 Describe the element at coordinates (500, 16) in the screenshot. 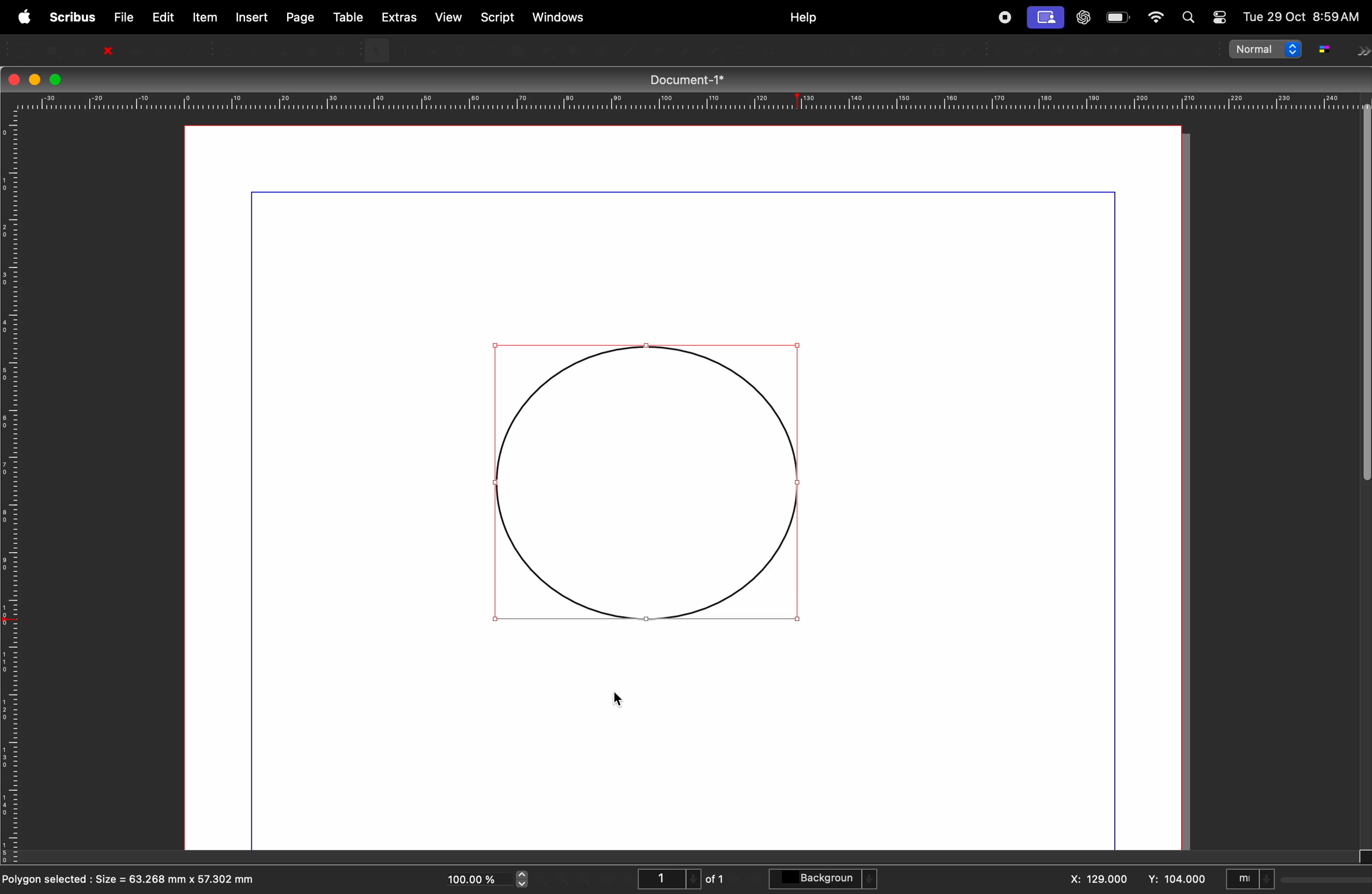

I see `script` at that location.